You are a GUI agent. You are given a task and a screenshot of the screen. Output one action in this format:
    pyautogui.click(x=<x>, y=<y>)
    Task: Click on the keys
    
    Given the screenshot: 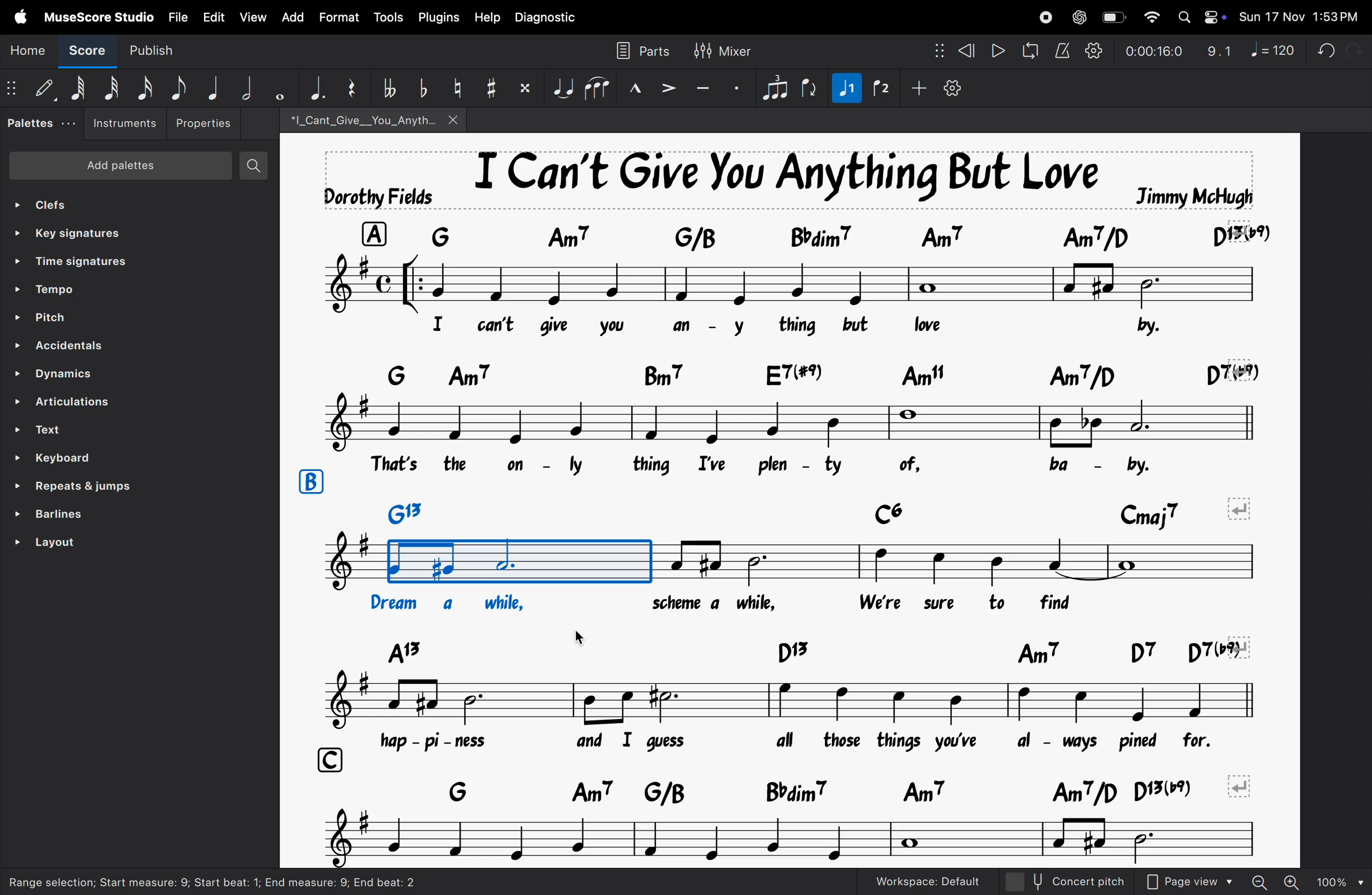 What is the action you would take?
    pyautogui.click(x=802, y=510)
    